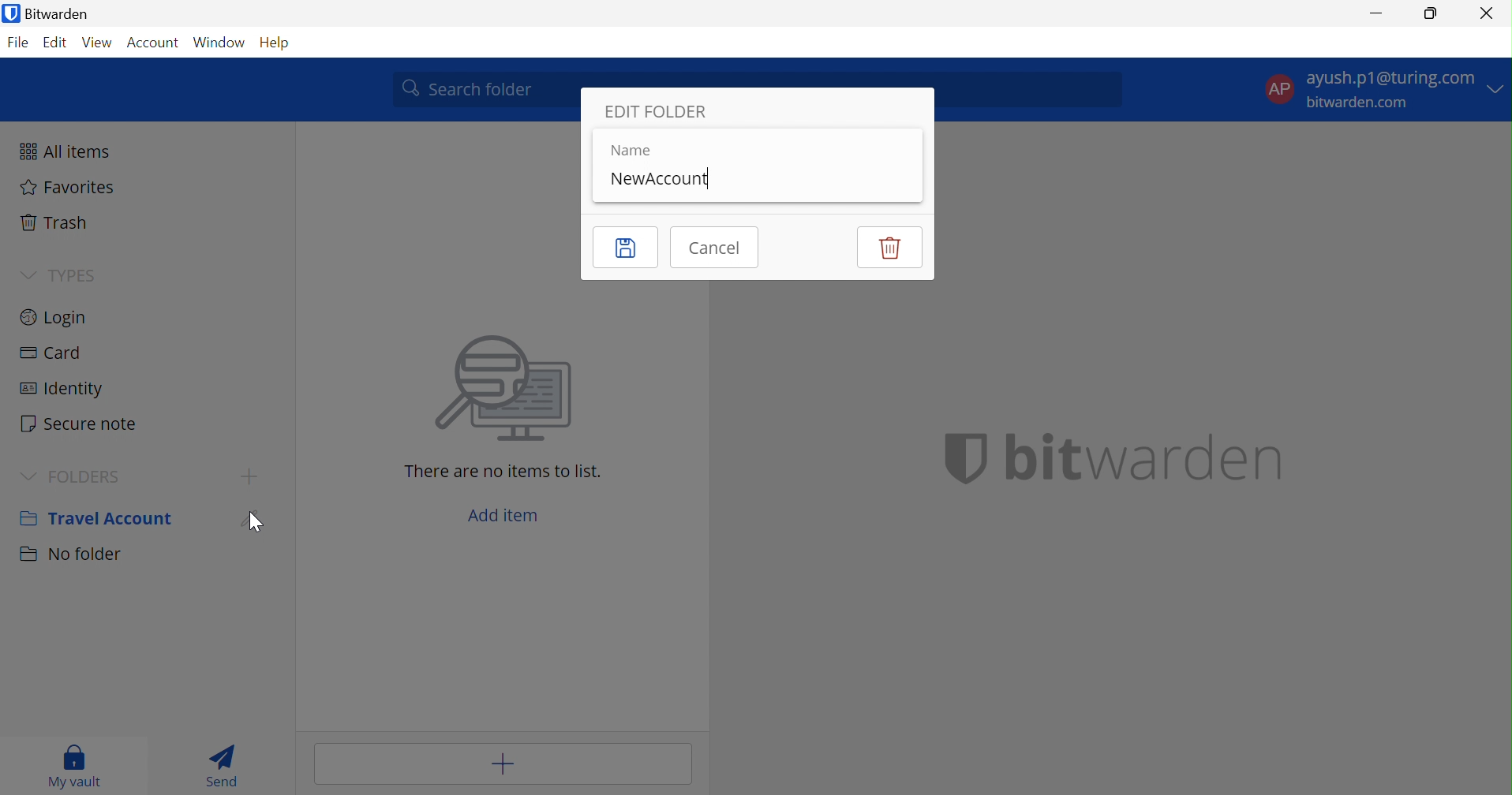 The image size is (1512, 795). Describe the element at coordinates (1142, 457) in the screenshot. I see `bitwarden` at that location.